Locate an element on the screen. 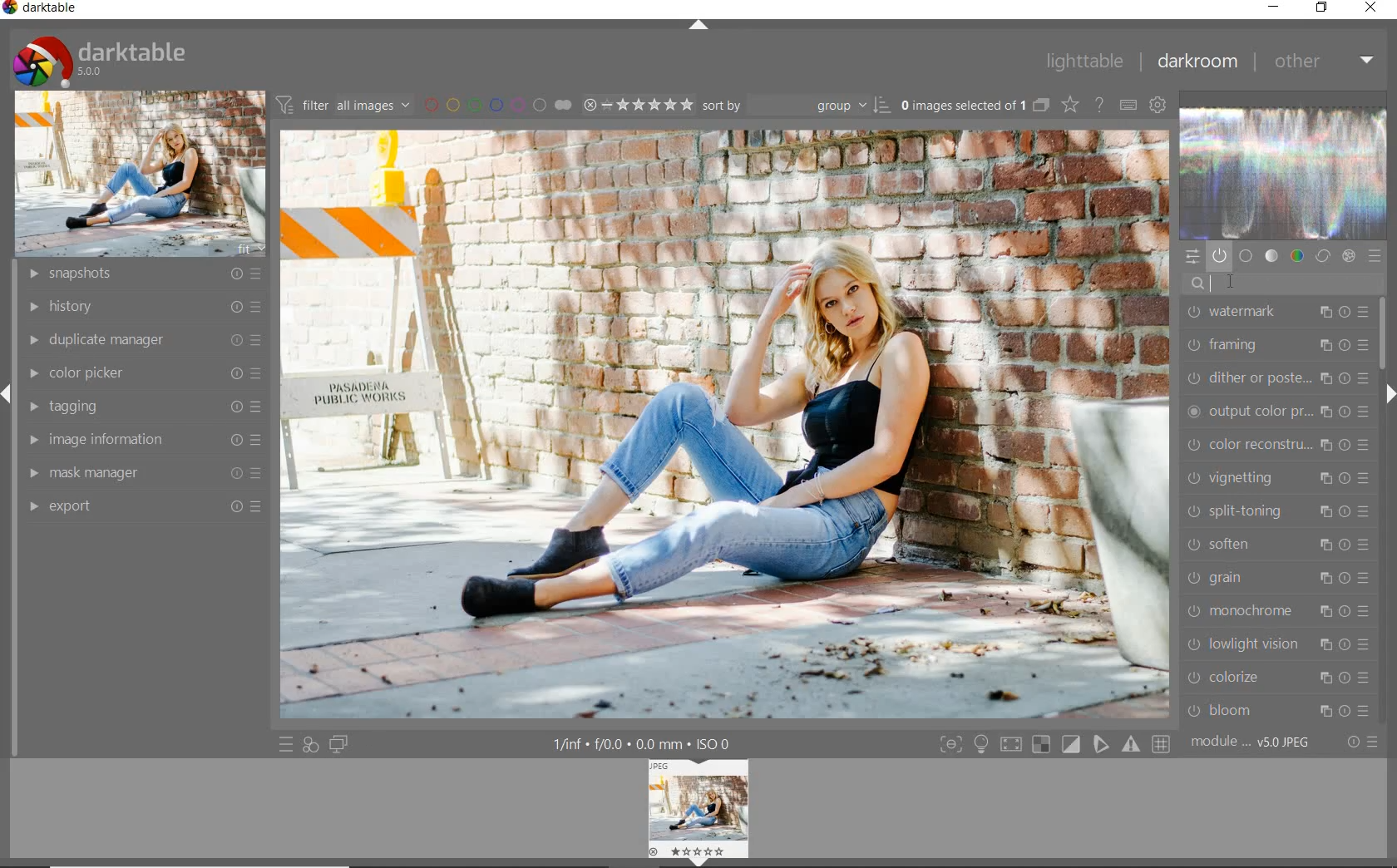 The height and width of the screenshot is (868, 1397). correct is located at coordinates (1323, 255).